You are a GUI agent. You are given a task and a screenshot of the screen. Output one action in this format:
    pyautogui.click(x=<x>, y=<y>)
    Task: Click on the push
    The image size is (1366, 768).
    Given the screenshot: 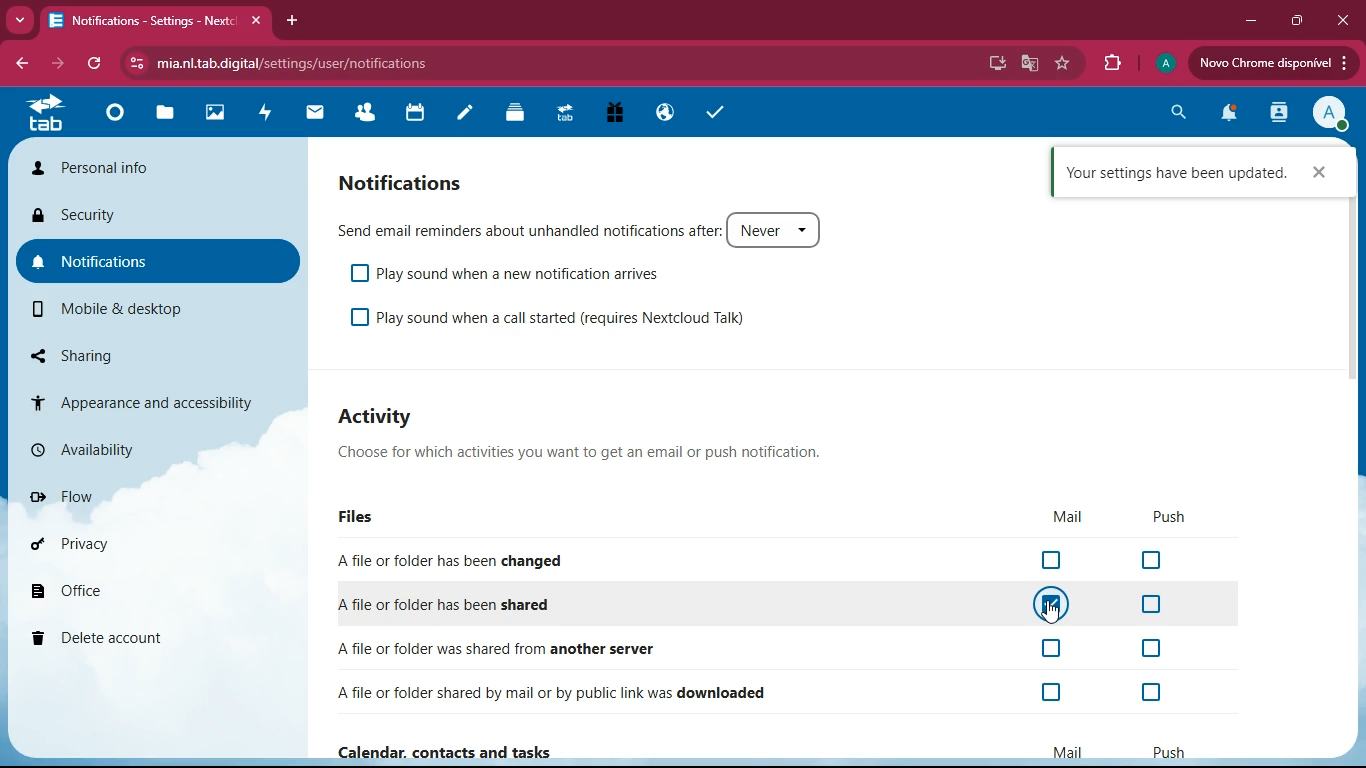 What is the action you would take?
    pyautogui.click(x=1171, y=750)
    